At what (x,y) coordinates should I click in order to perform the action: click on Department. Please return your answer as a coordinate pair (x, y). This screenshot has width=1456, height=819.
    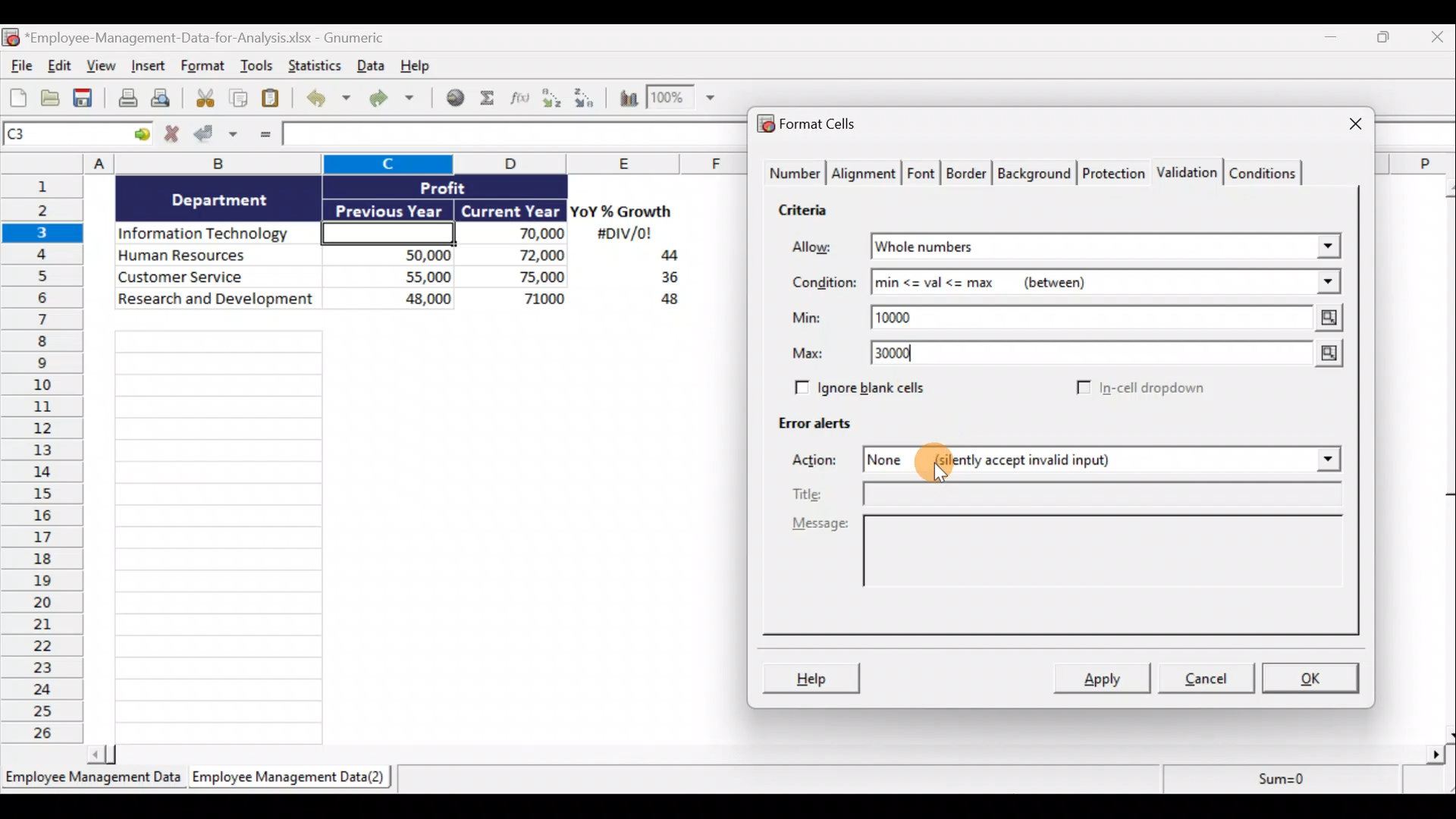
    Looking at the image, I should click on (220, 199).